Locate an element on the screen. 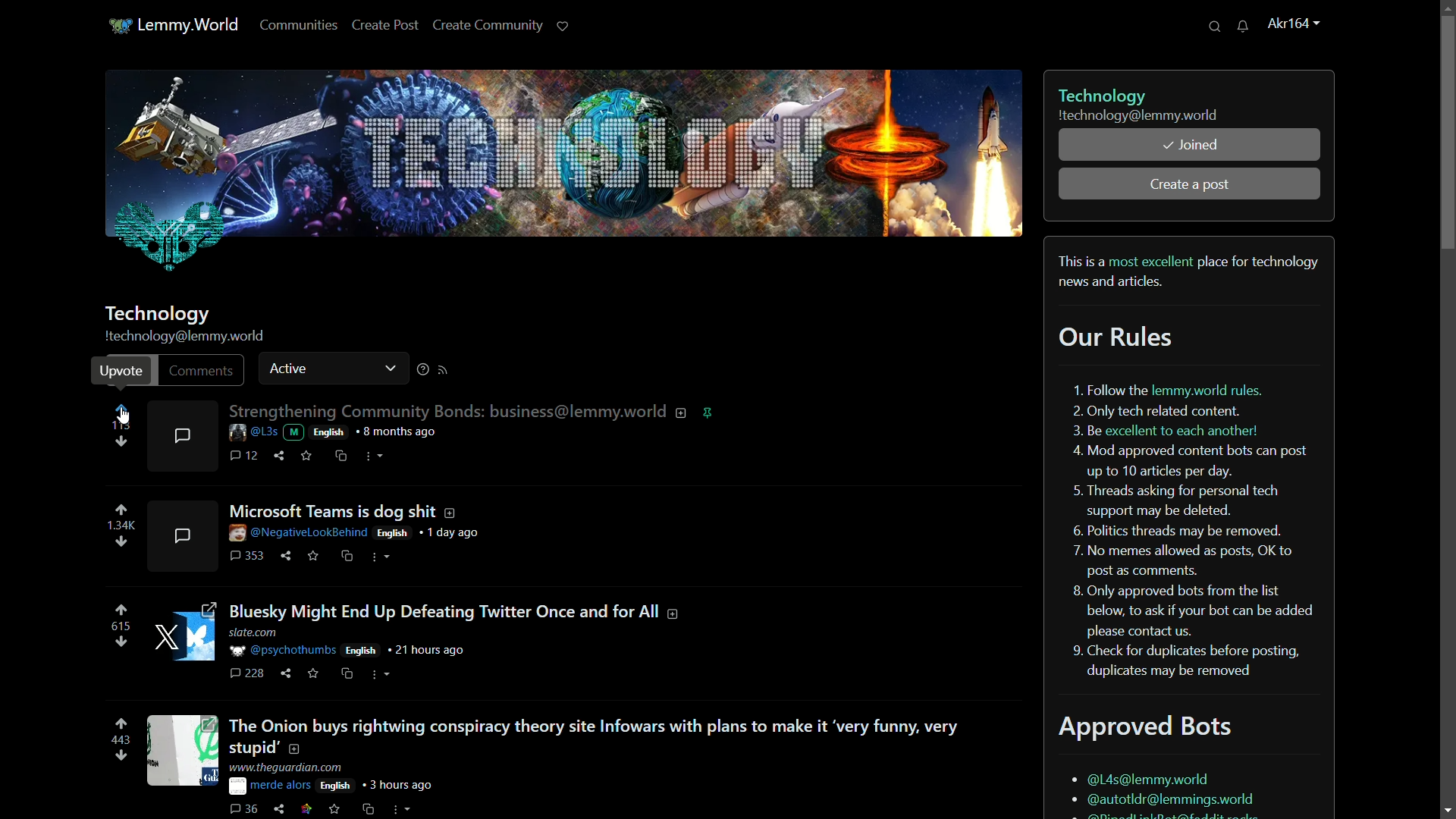 The height and width of the screenshot is (819, 1456). save is located at coordinates (313, 673).